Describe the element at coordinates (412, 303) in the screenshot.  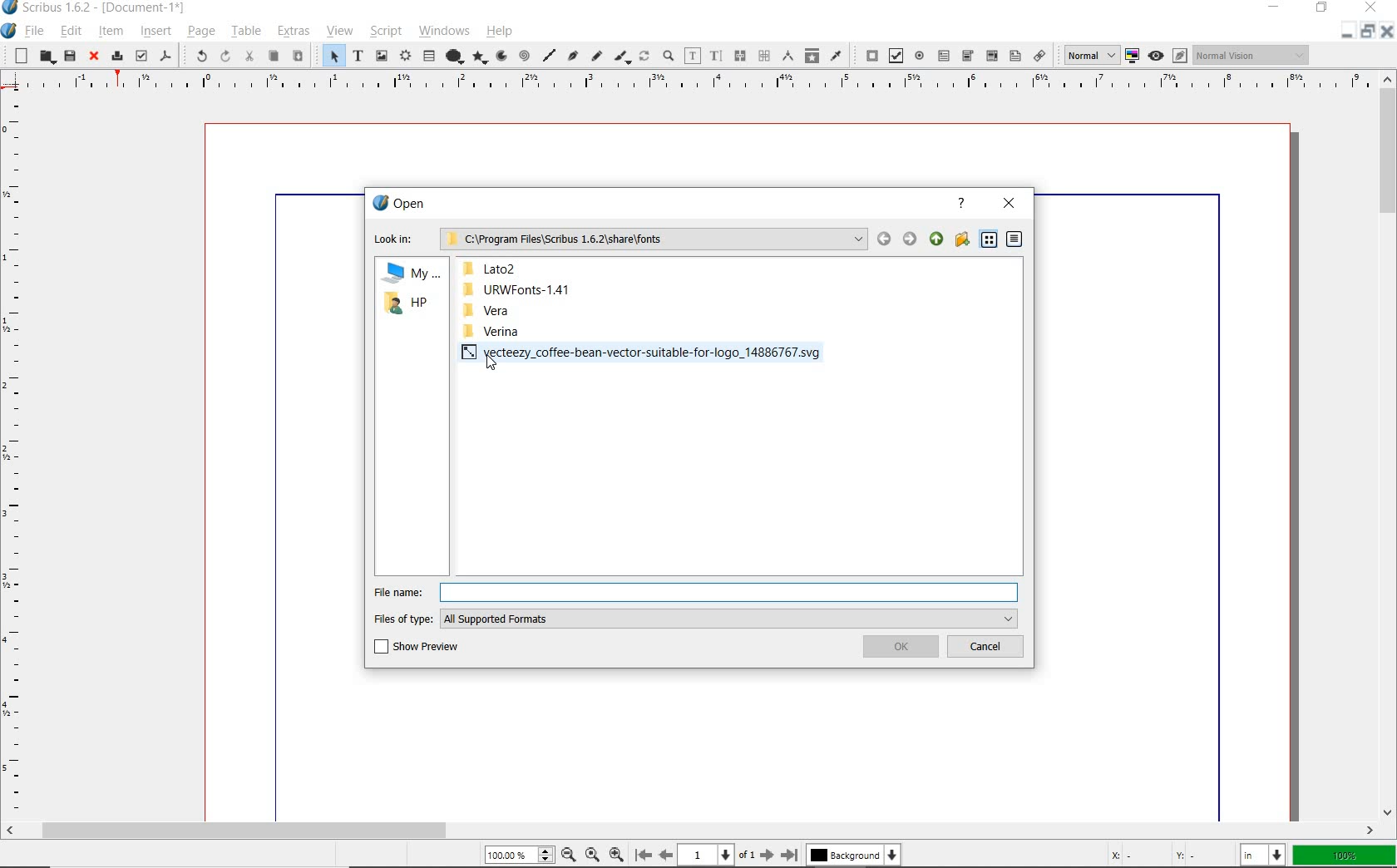
I see `hp` at that location.